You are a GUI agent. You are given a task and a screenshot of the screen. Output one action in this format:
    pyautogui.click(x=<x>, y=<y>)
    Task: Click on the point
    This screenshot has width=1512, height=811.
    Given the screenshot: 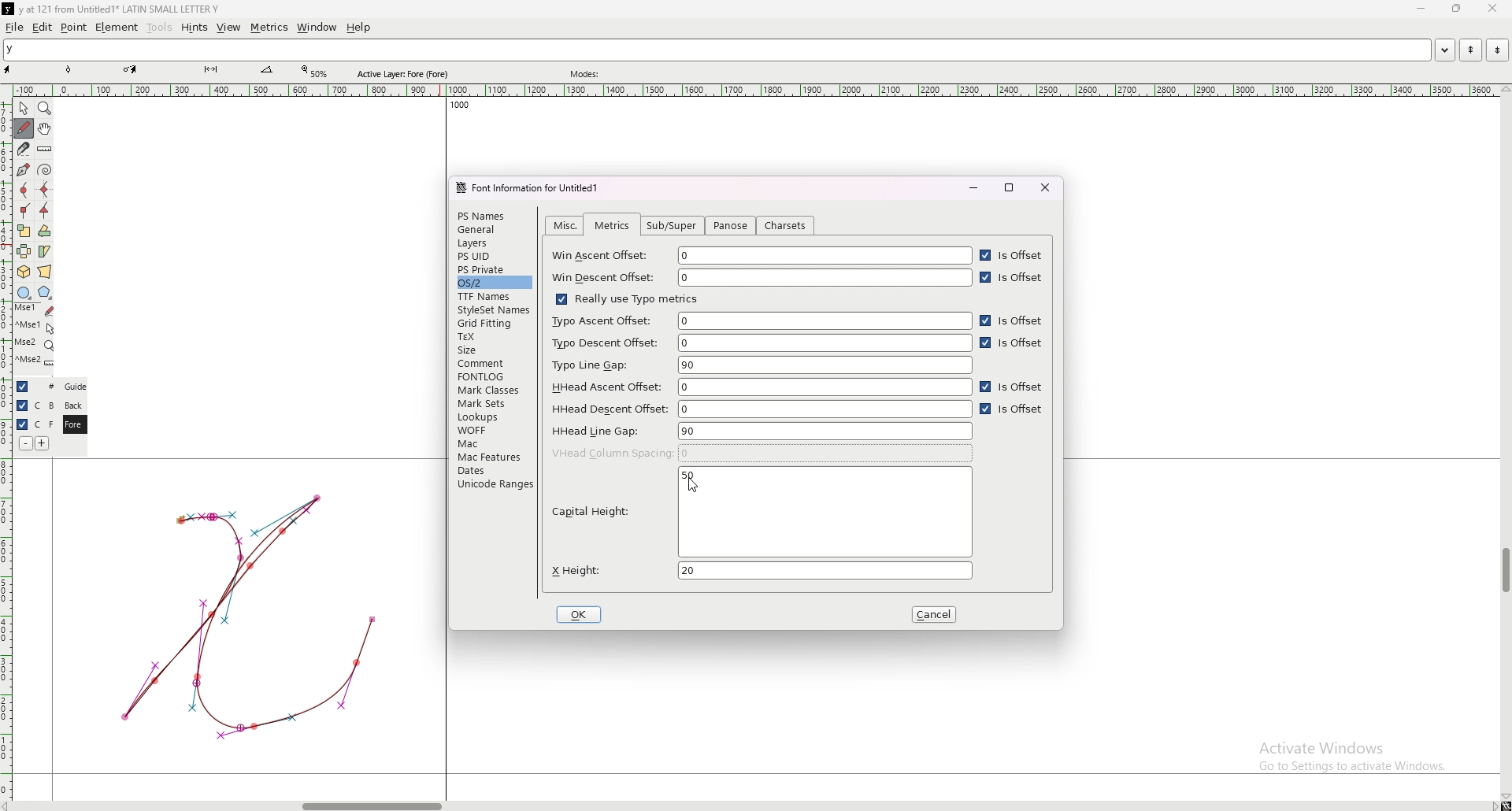 What is the action you would take?
    pyautogui.click(x=74, y=27)
    